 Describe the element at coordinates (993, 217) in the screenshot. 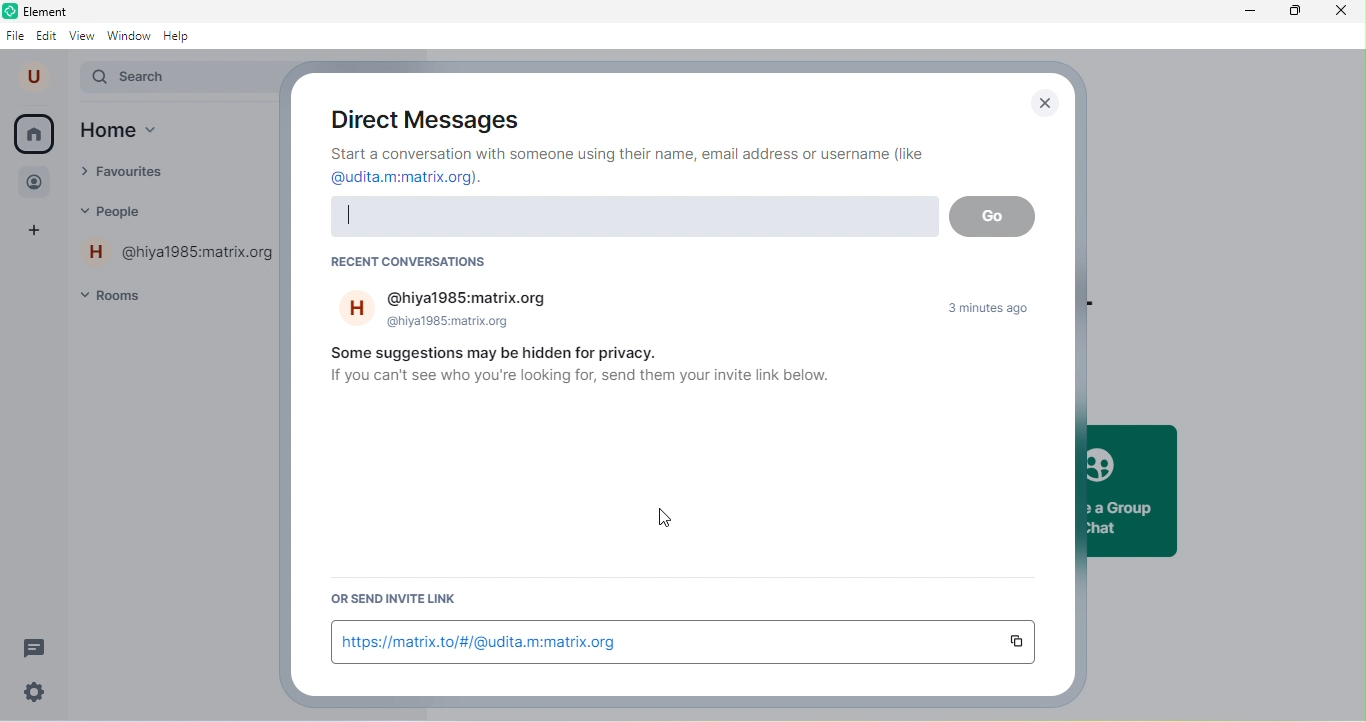

I see `go` at that location.